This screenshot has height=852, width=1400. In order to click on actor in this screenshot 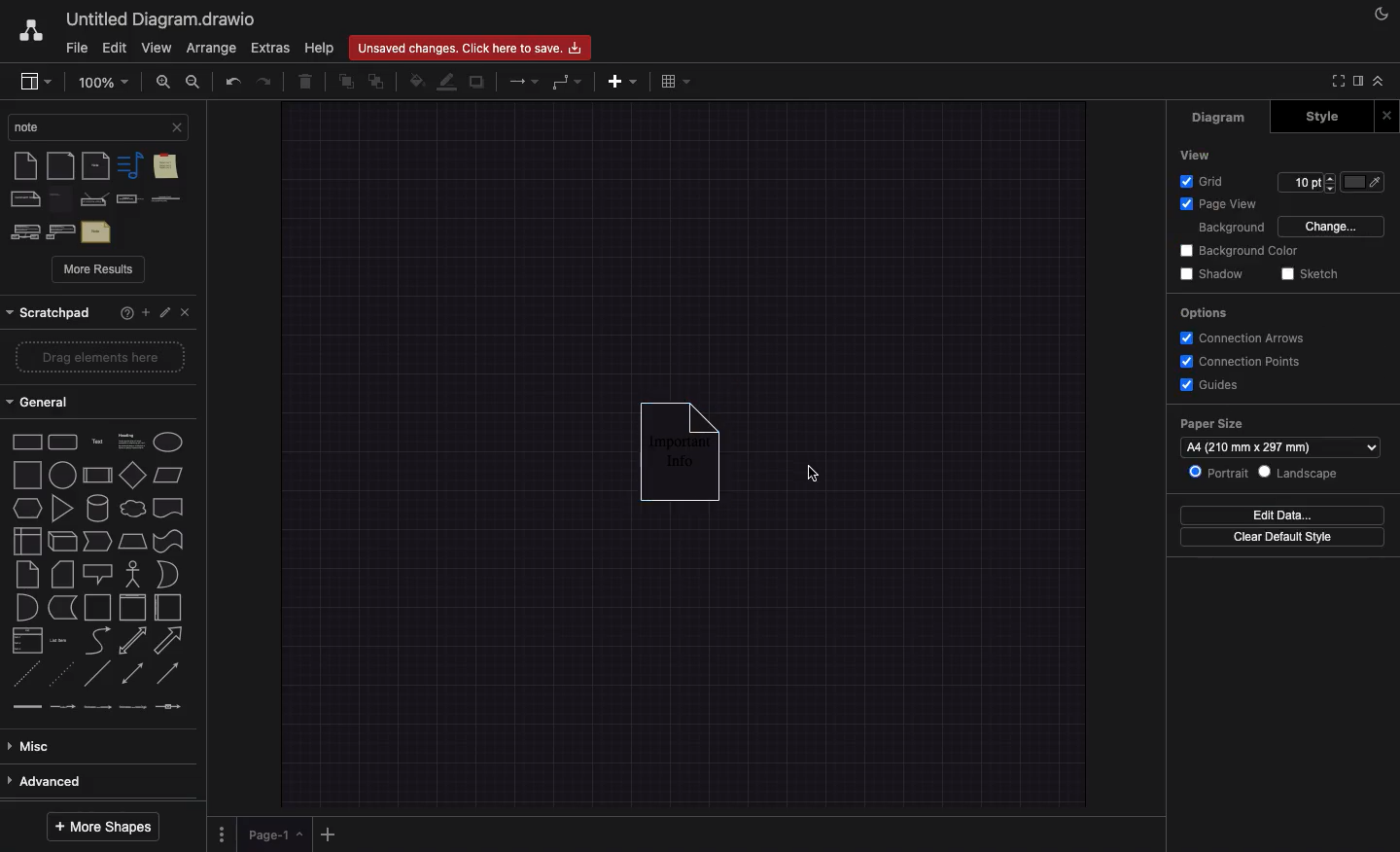, I will do `click(132, 574)`.